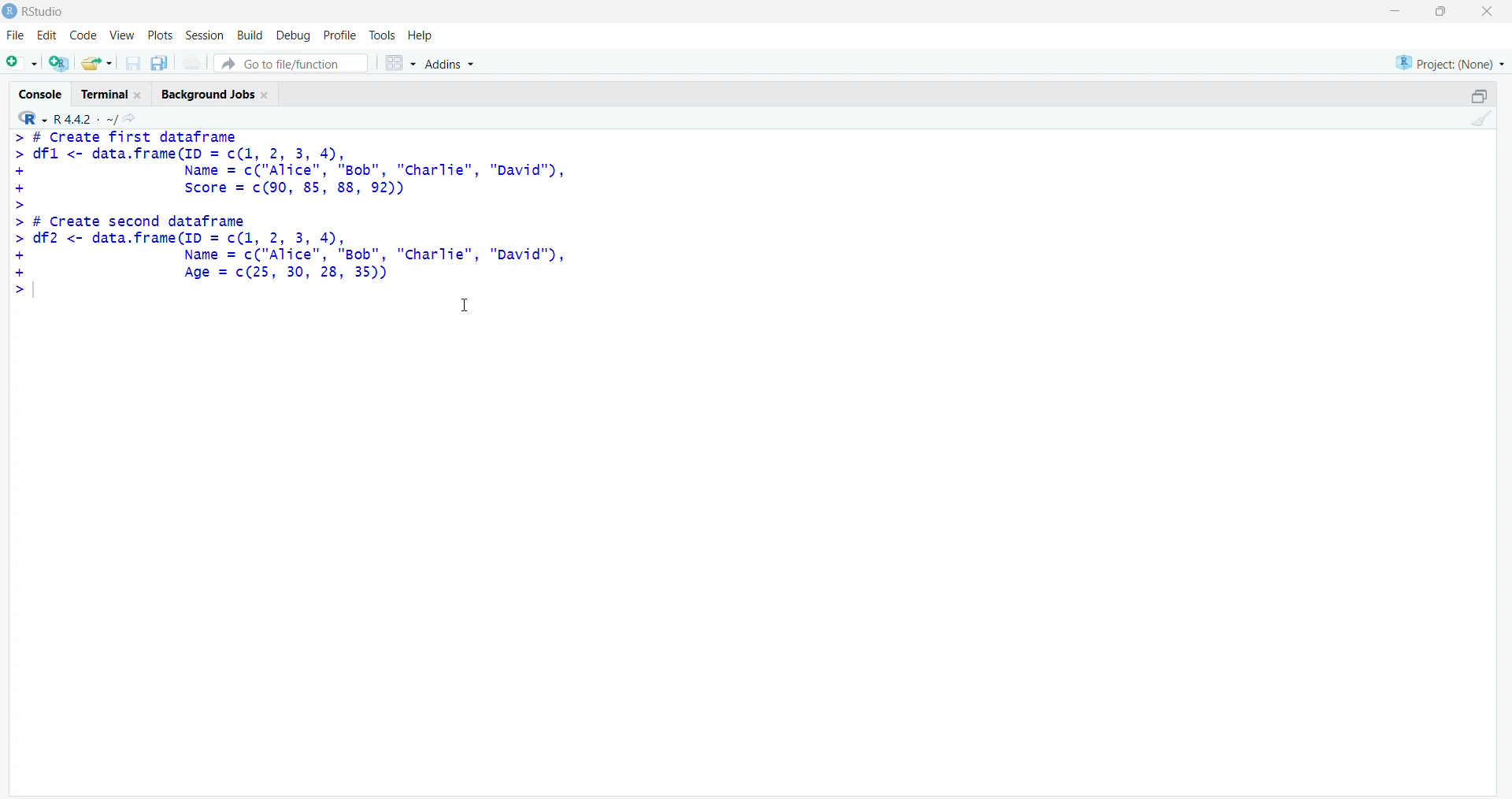 The width and height of the screenshot is (1512, 799). Describe the element at coordinates (383, 35) in the screenshot. I see `tools` at that location.